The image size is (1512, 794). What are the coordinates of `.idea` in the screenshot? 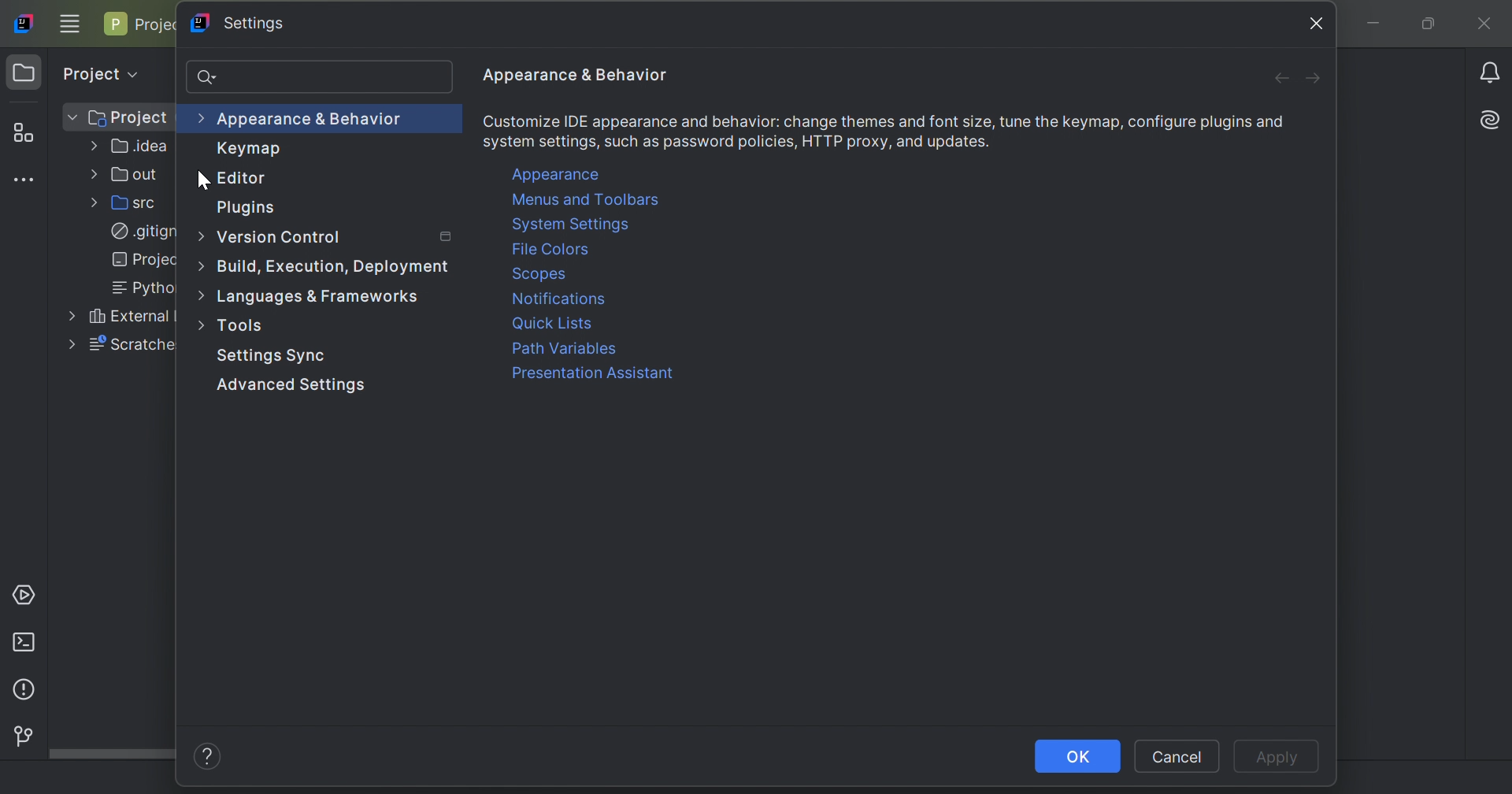 It's located at (132, 149).